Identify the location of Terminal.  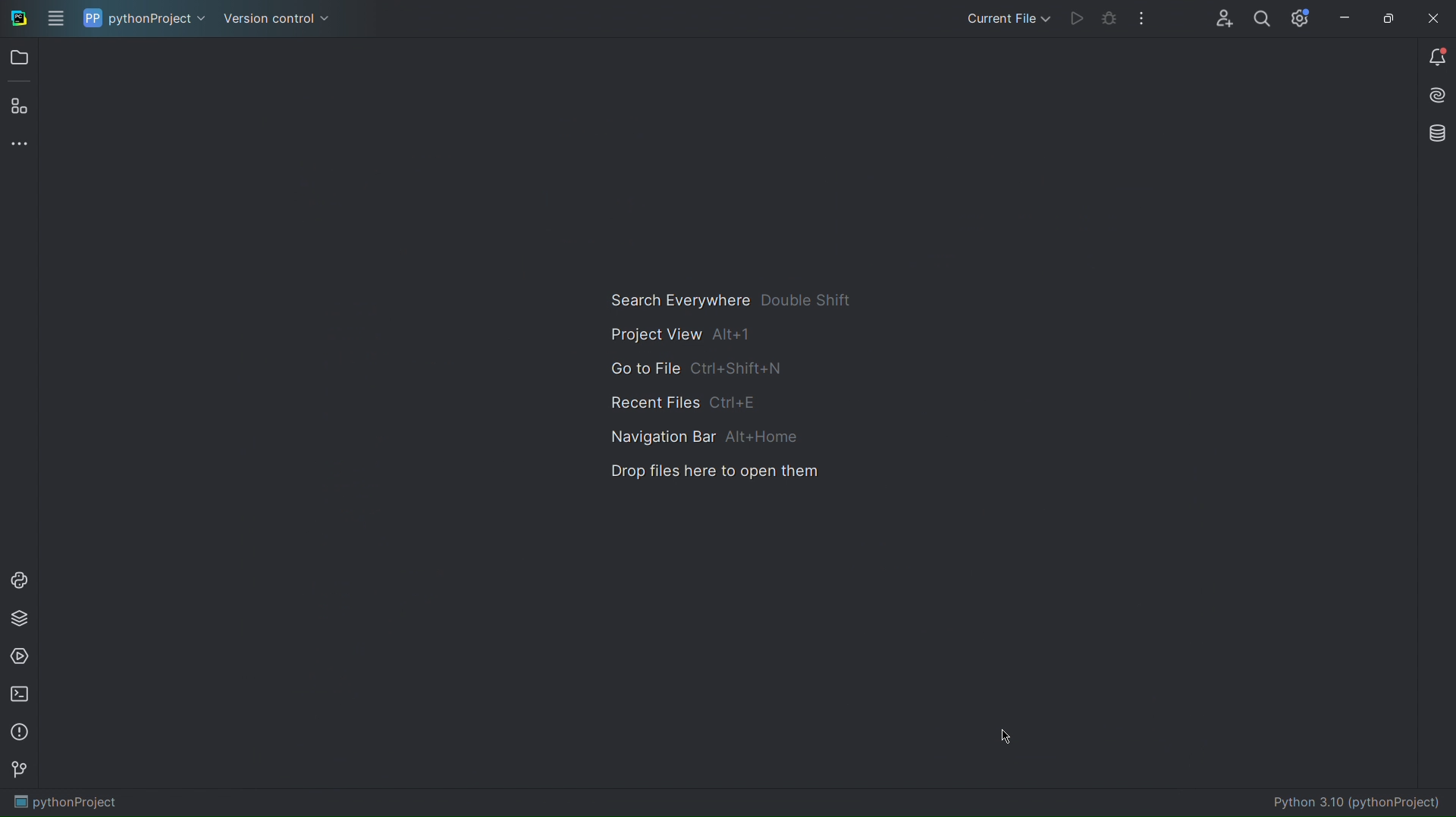
(22, 695).